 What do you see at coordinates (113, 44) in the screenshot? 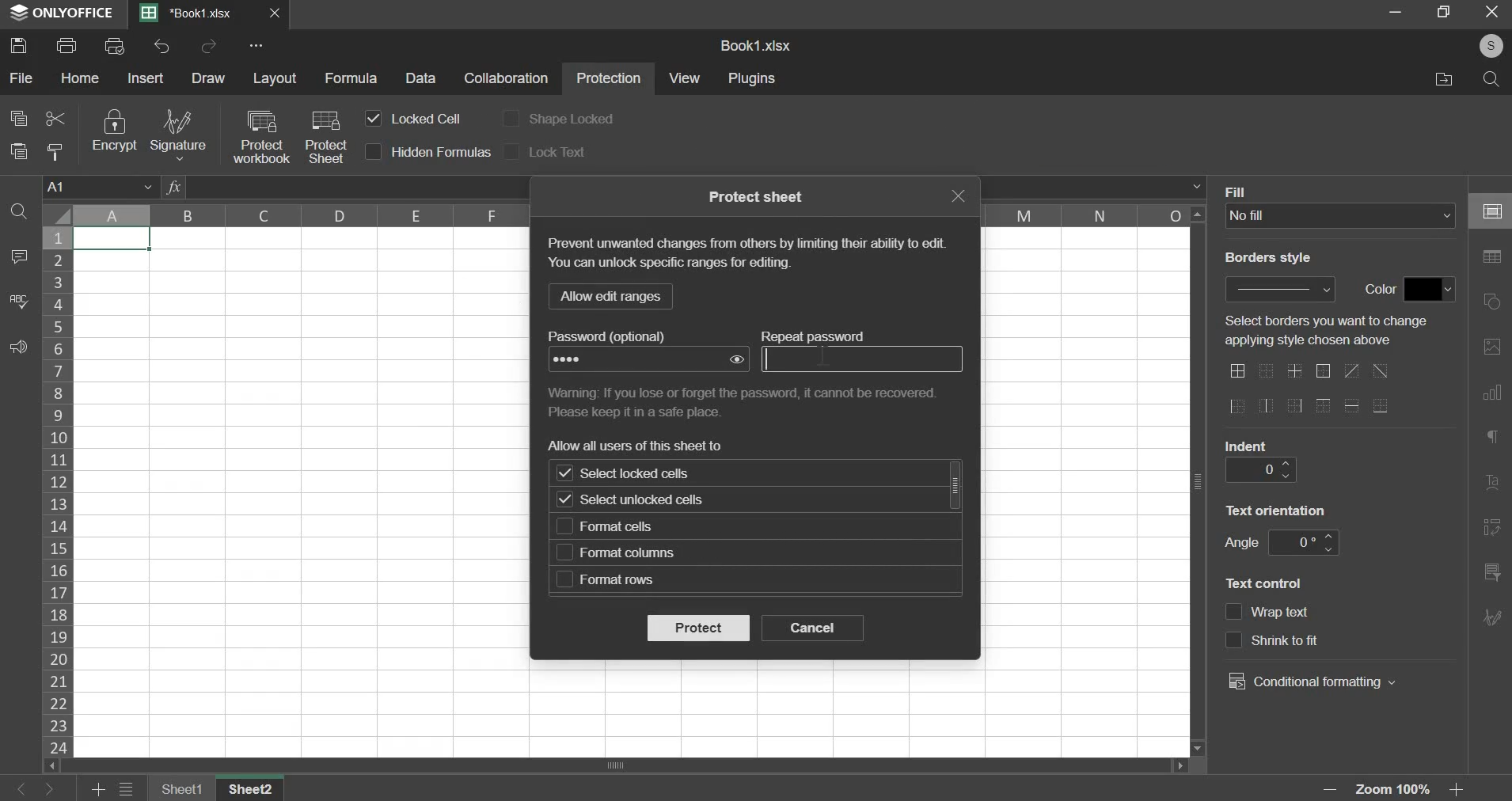
I see `print preview` at bounding box center [113, 44].